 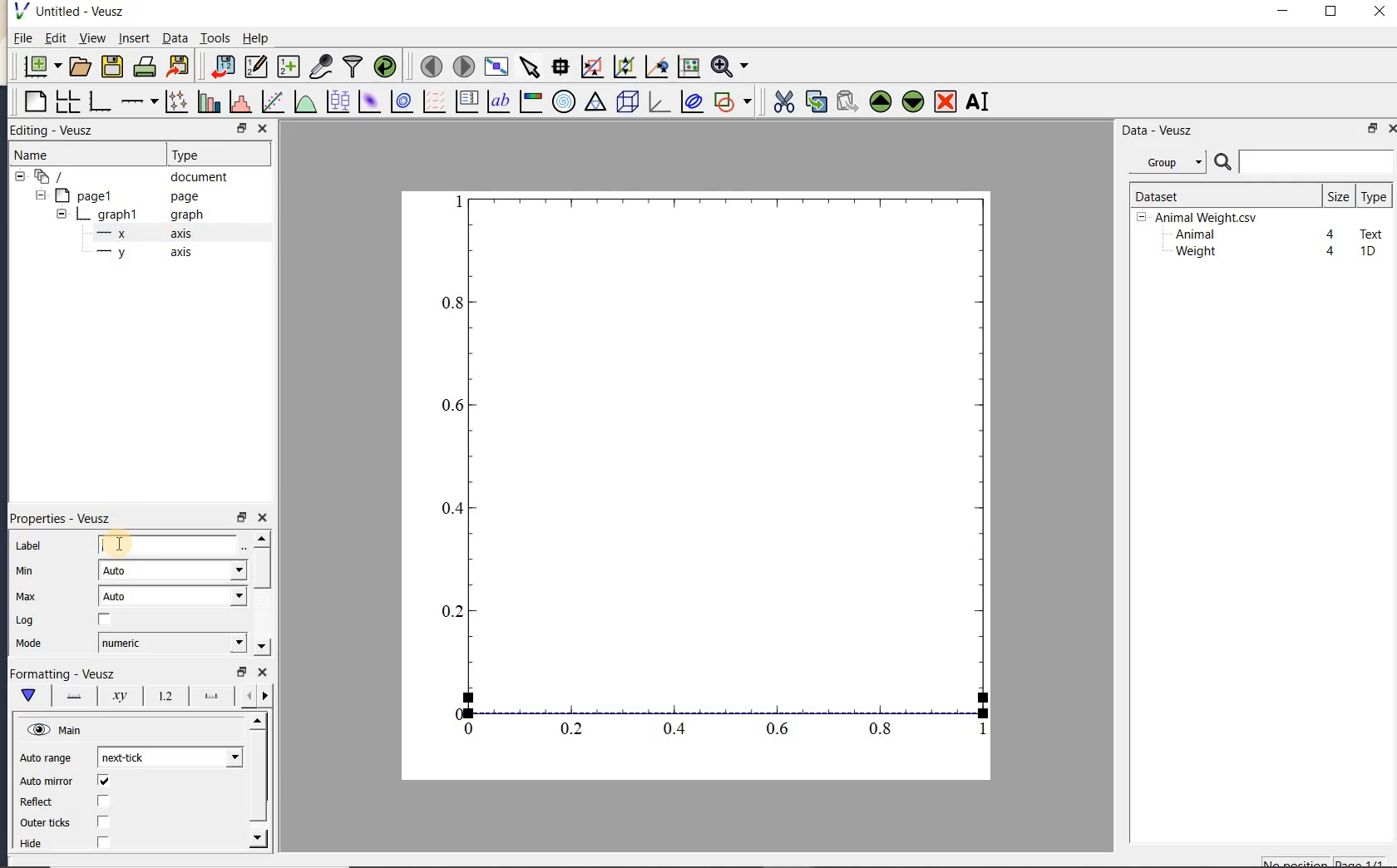 I want to click on plot box plots, so click(x=335, y=102).